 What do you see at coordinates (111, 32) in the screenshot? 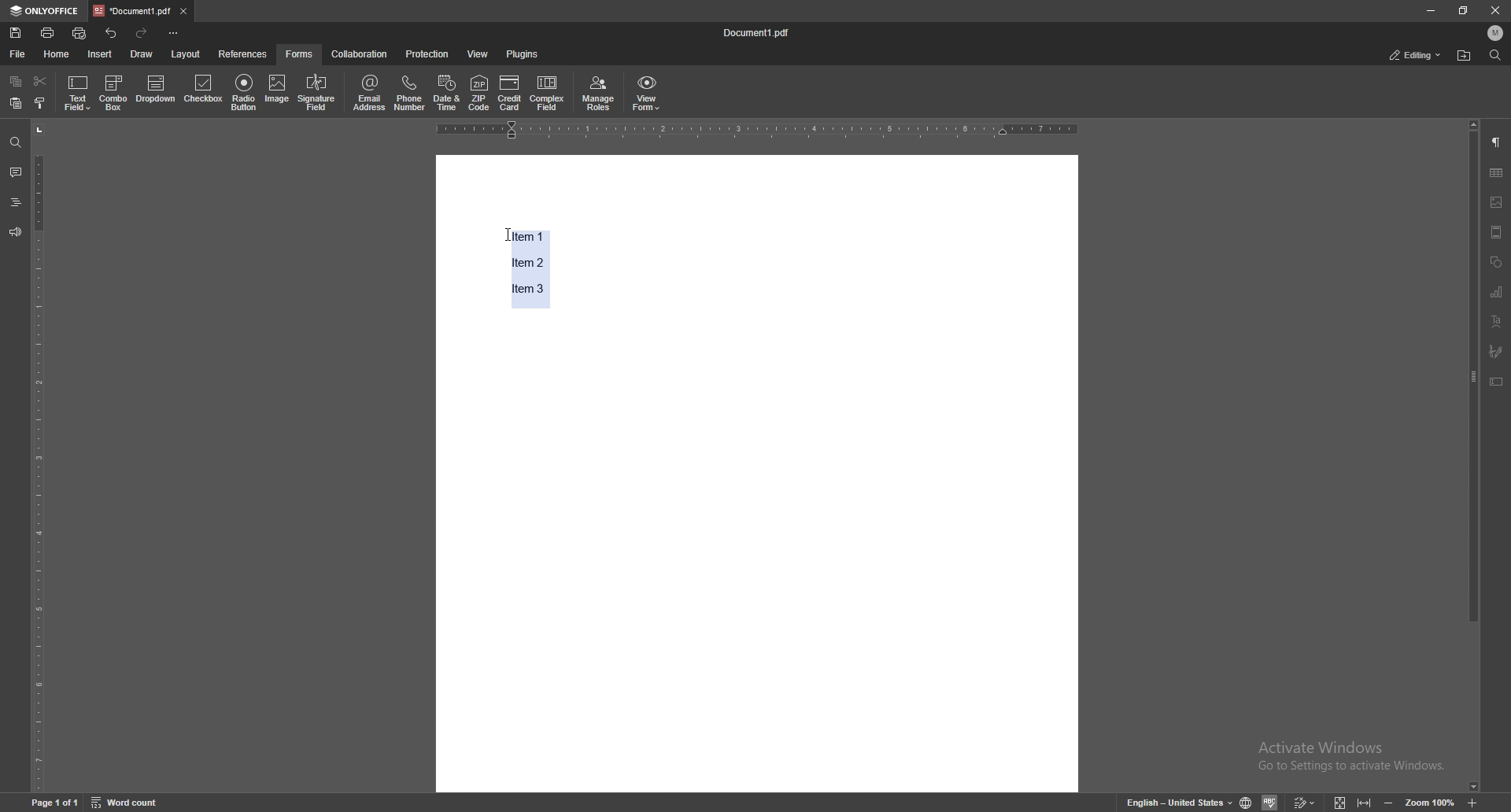
I see `undo` at bounding box center [111, 32].